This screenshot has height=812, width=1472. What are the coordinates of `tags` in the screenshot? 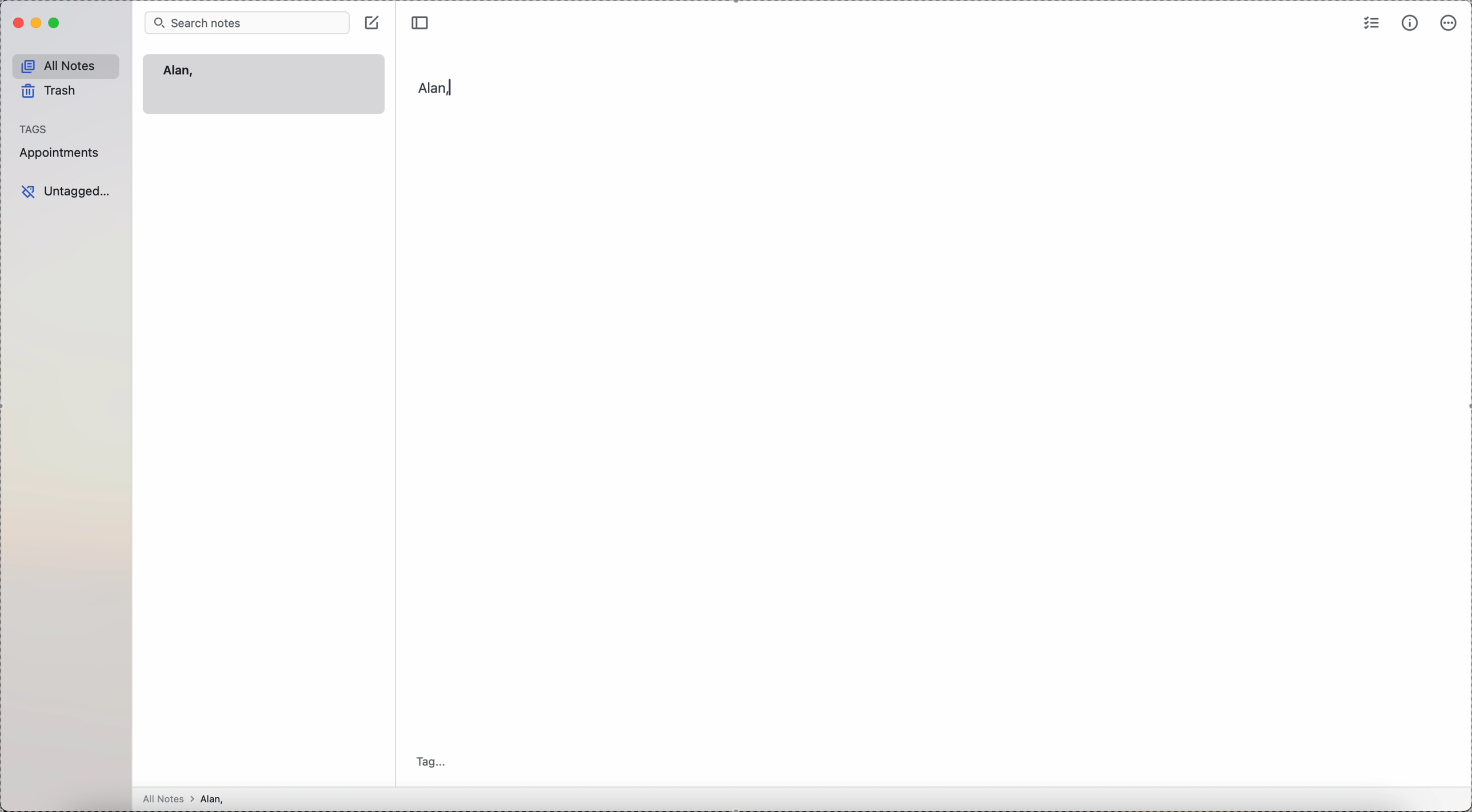 It's located at (34, 129).